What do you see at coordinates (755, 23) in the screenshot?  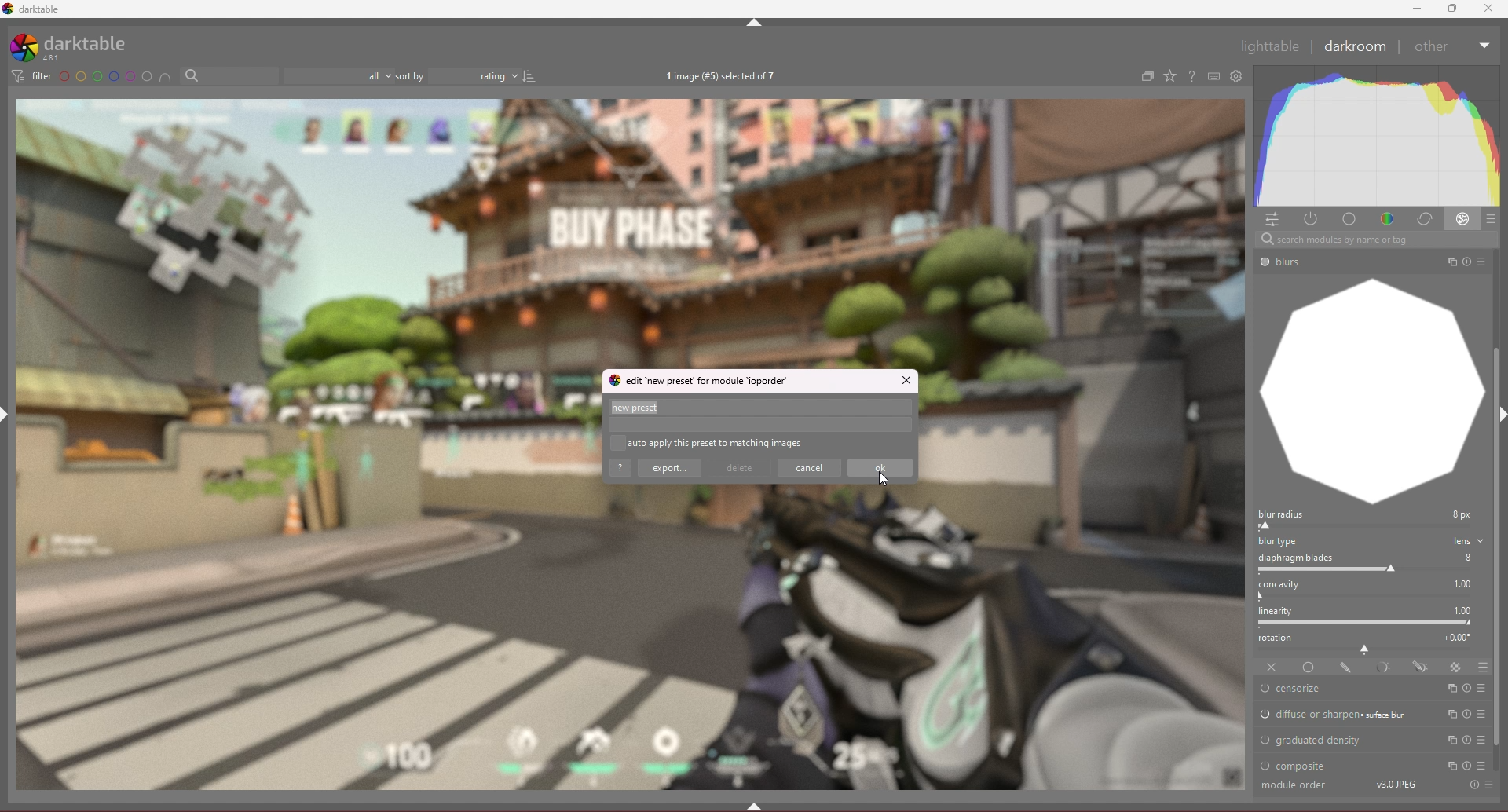 I see `hide` at bounding box center [755, 23].